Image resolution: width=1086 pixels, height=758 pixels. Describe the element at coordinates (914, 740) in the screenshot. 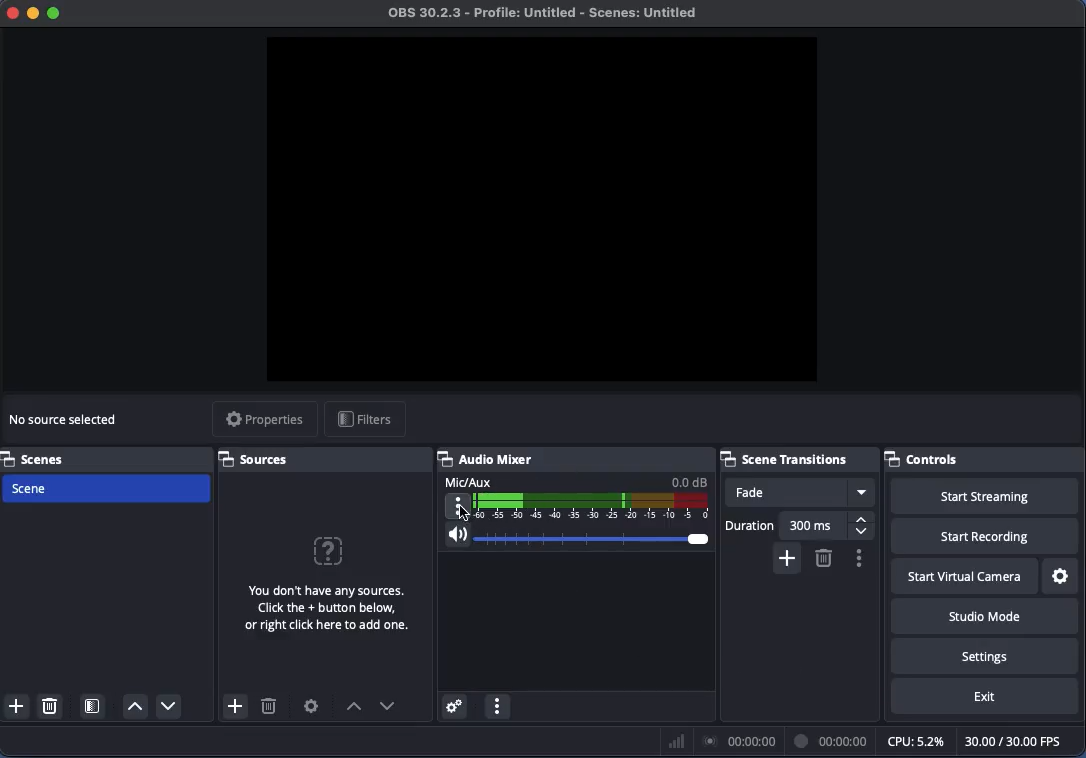

I see `CPU` at that location.